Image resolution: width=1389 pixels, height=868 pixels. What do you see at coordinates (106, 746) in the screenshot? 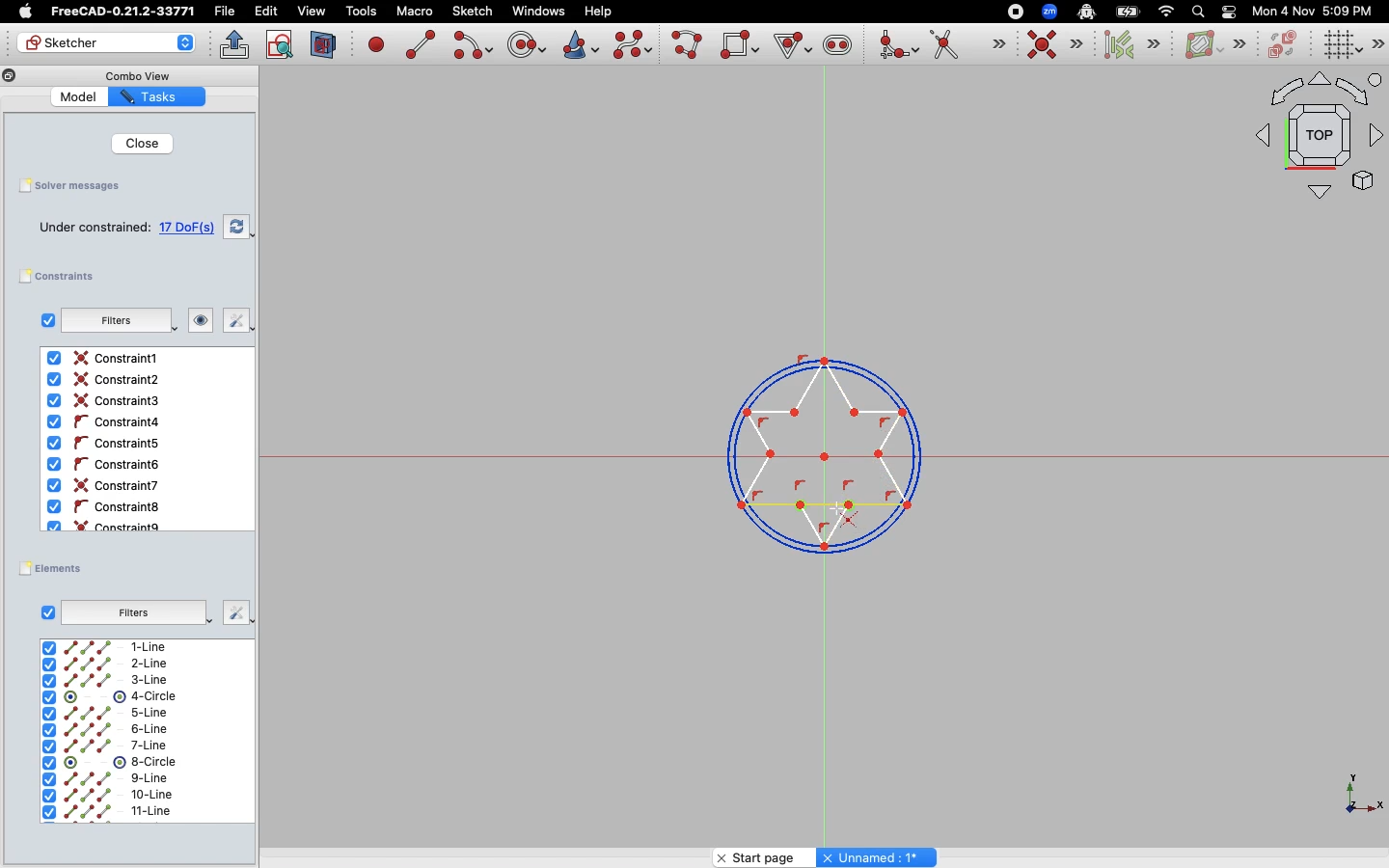
I see `7-line` at bounding box center [106, 746].